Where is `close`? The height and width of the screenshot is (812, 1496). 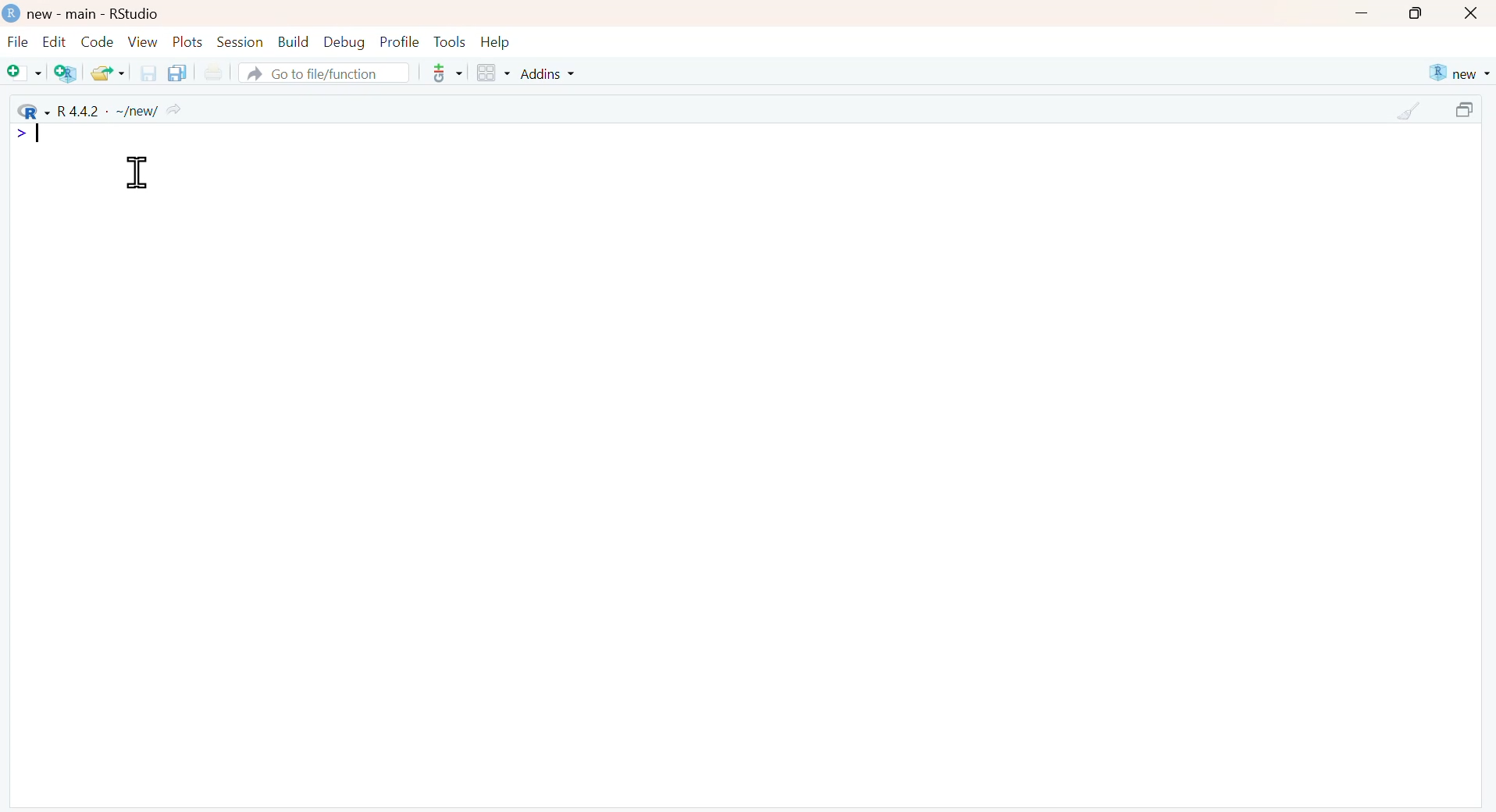
close is located at coordinates (1473, 14).